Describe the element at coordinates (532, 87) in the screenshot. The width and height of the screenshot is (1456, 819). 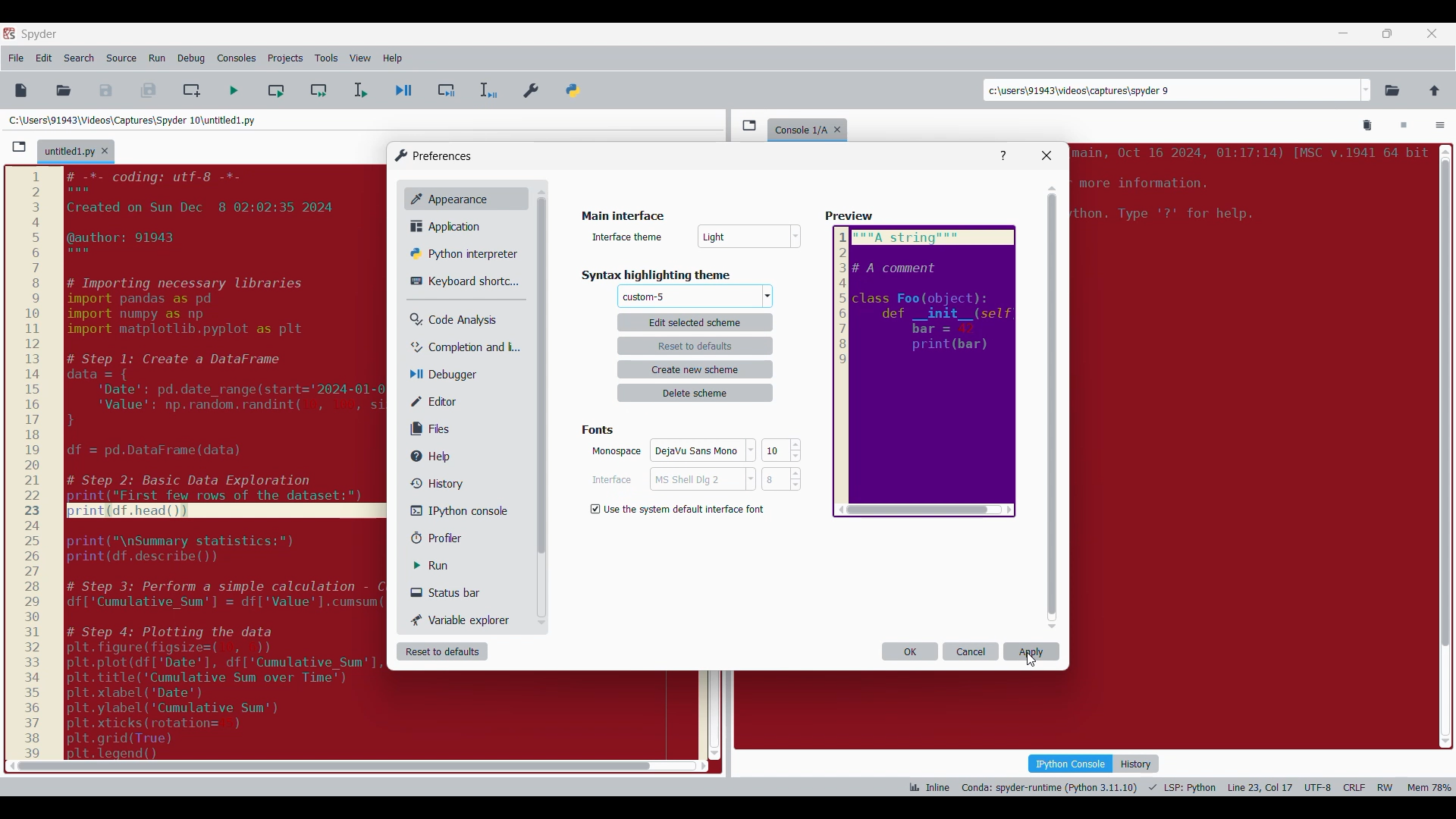
I see `Preferences` at that location.